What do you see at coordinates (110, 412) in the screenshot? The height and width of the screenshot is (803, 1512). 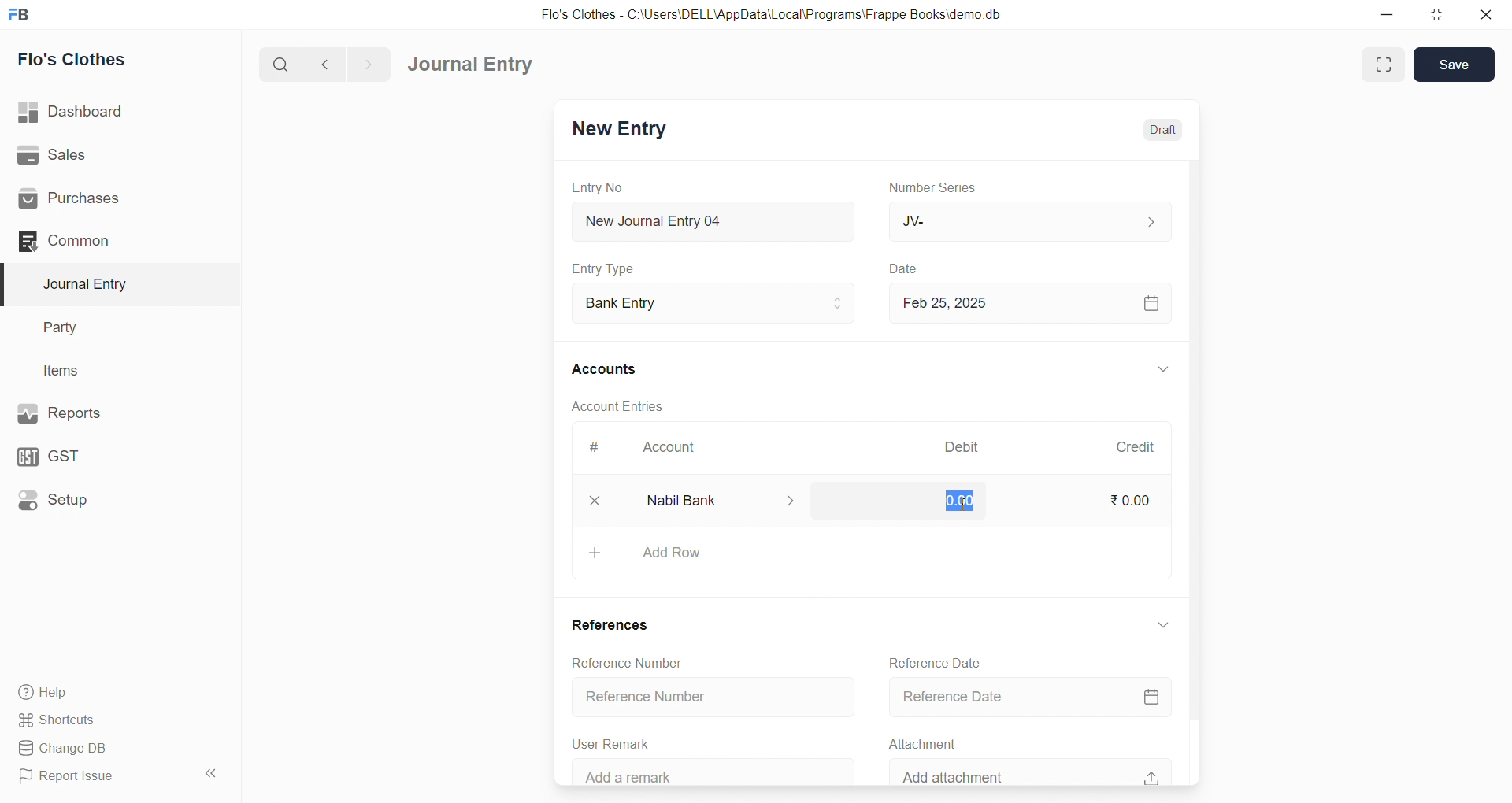 I see `Reports` at bounding box center [110, 412].